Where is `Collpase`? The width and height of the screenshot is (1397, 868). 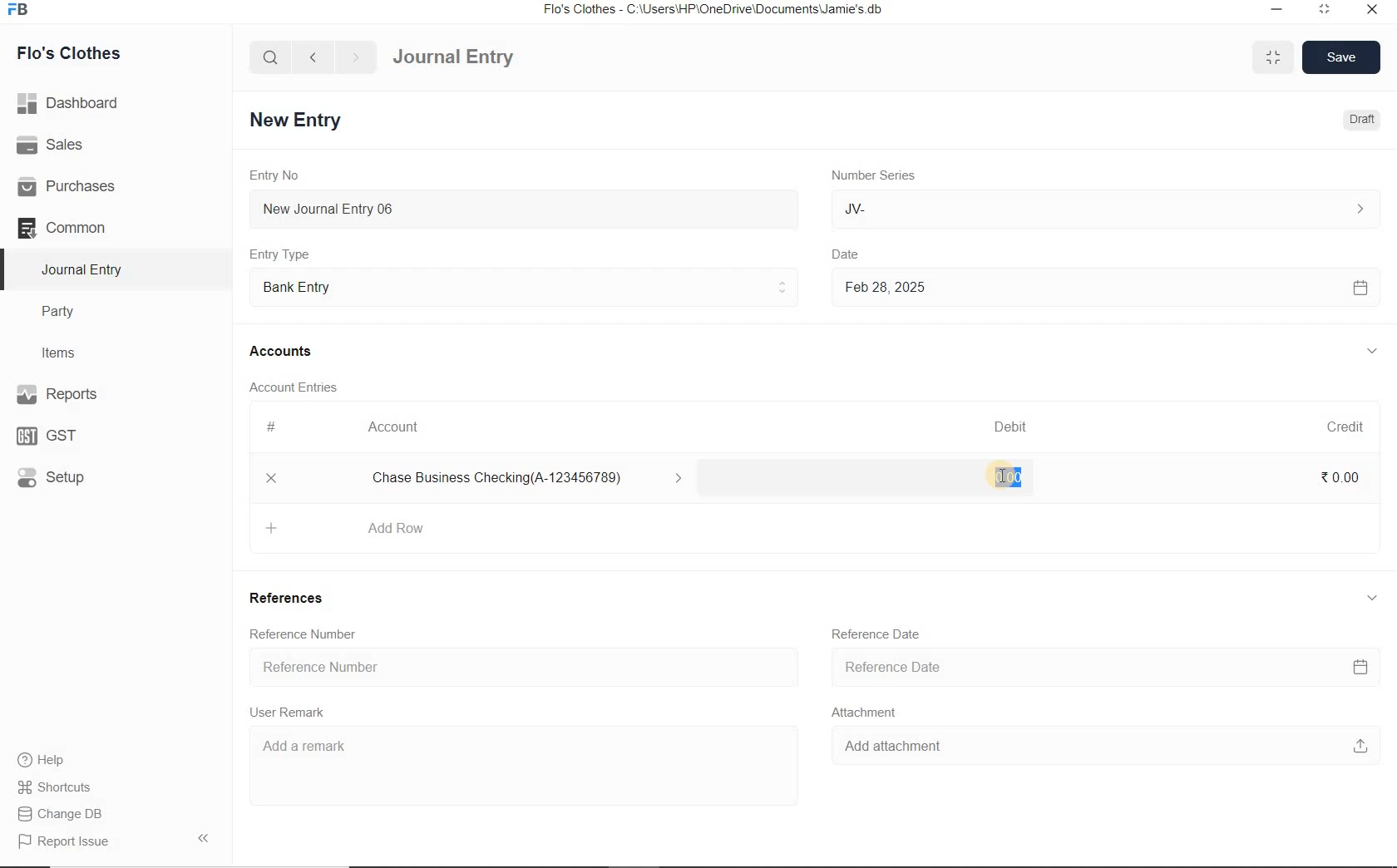
Collpase is located at coordinates (203, 837).